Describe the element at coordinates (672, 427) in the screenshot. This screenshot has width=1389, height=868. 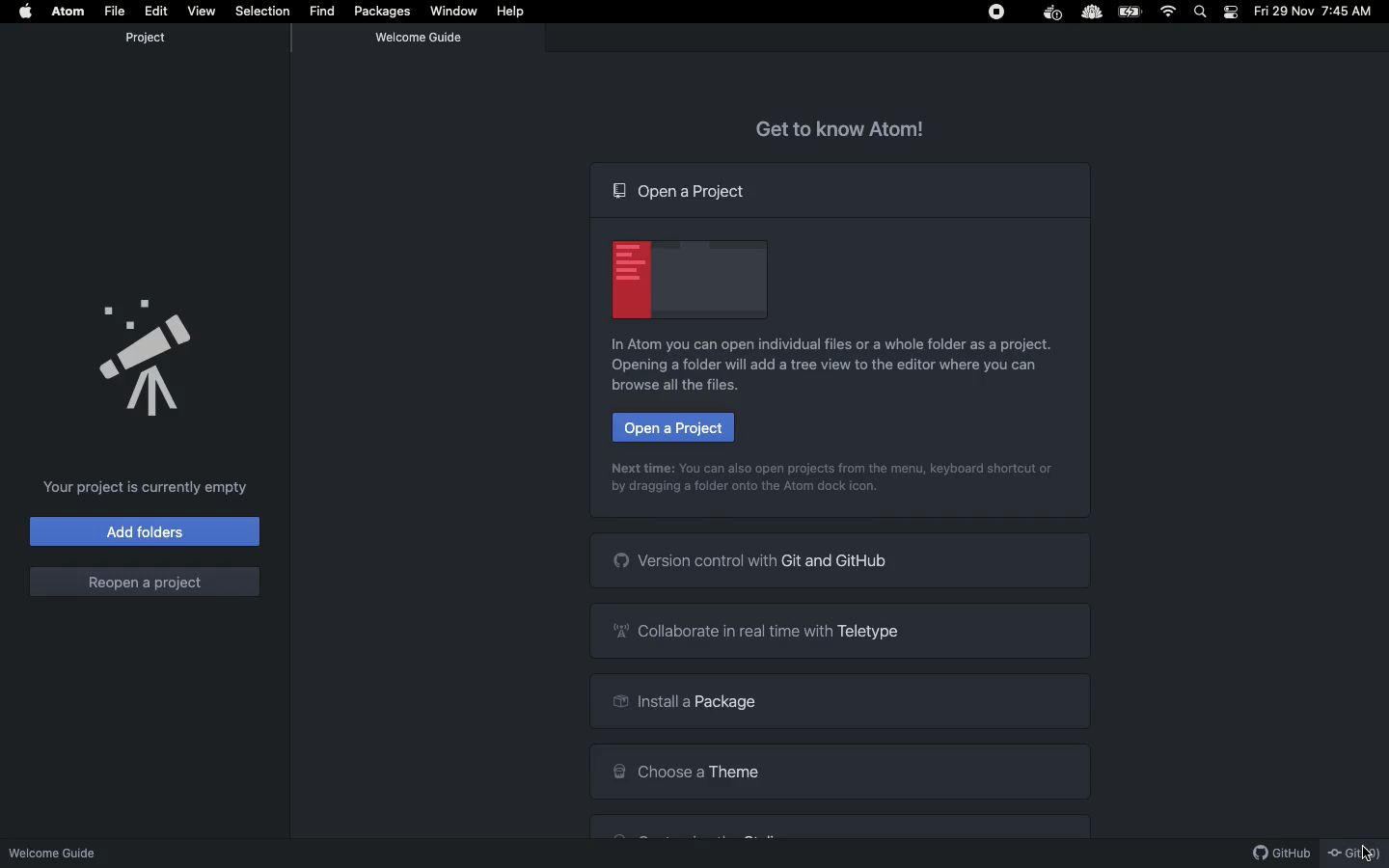
I see `Open a project` at that location.